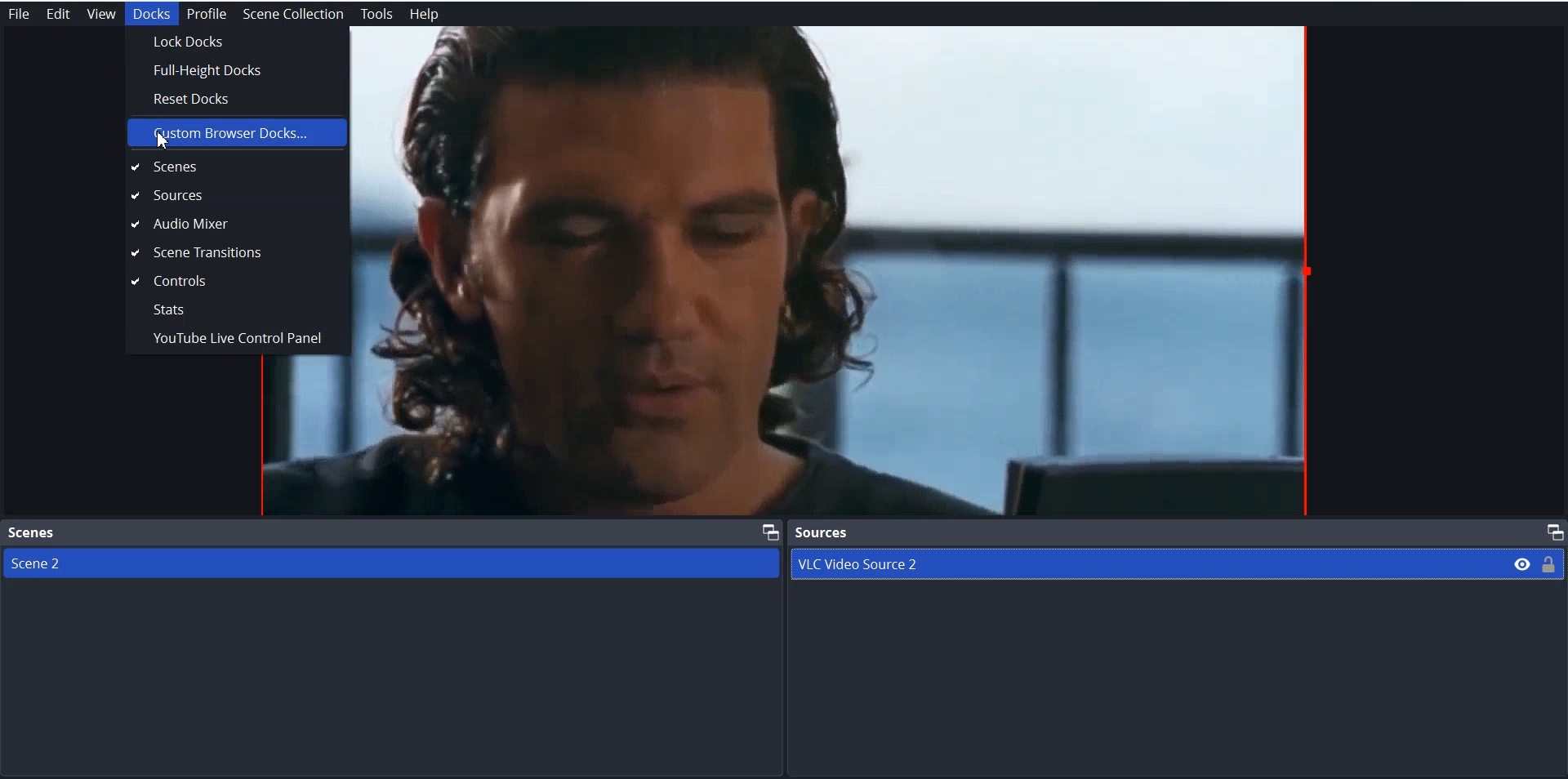 This screenshot has width=1568, height=779. Describe the element at coordinates (376, 15) in the screenshot. I see `Tools` at that location.